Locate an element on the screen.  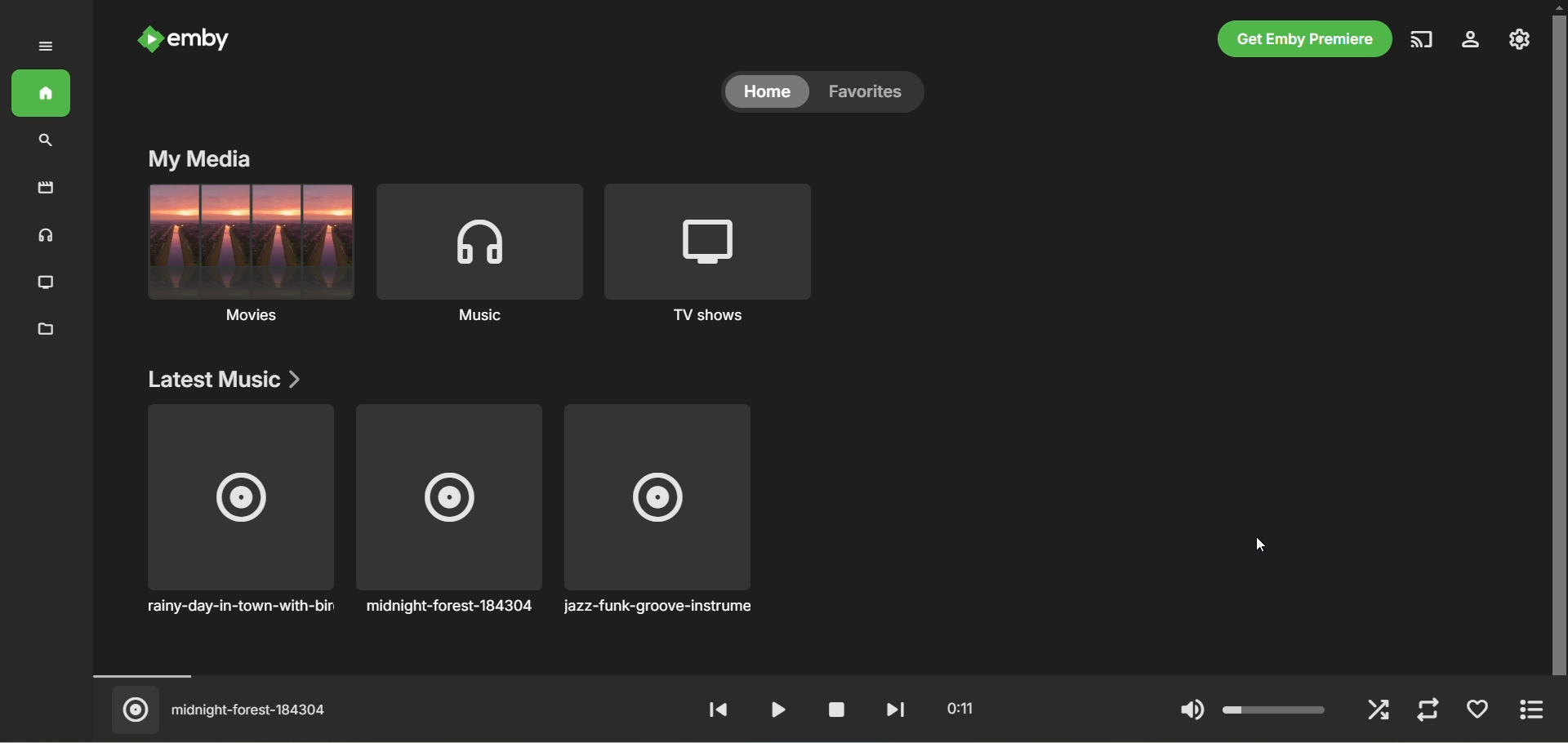
fast forward is located at coordinates (891, 710).